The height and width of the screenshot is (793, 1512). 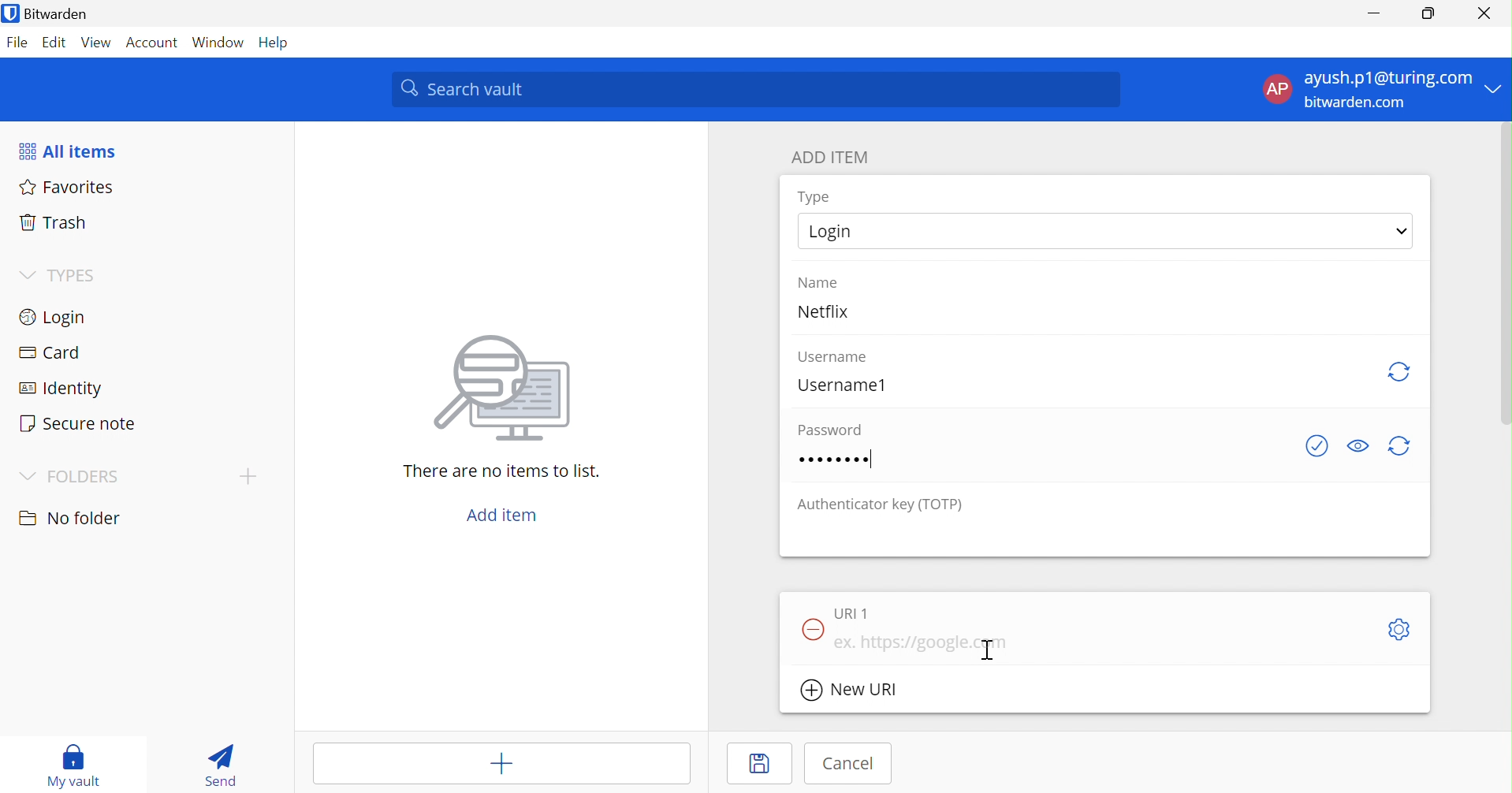 I want to click on Minimize, so click(x=1379, y=14).